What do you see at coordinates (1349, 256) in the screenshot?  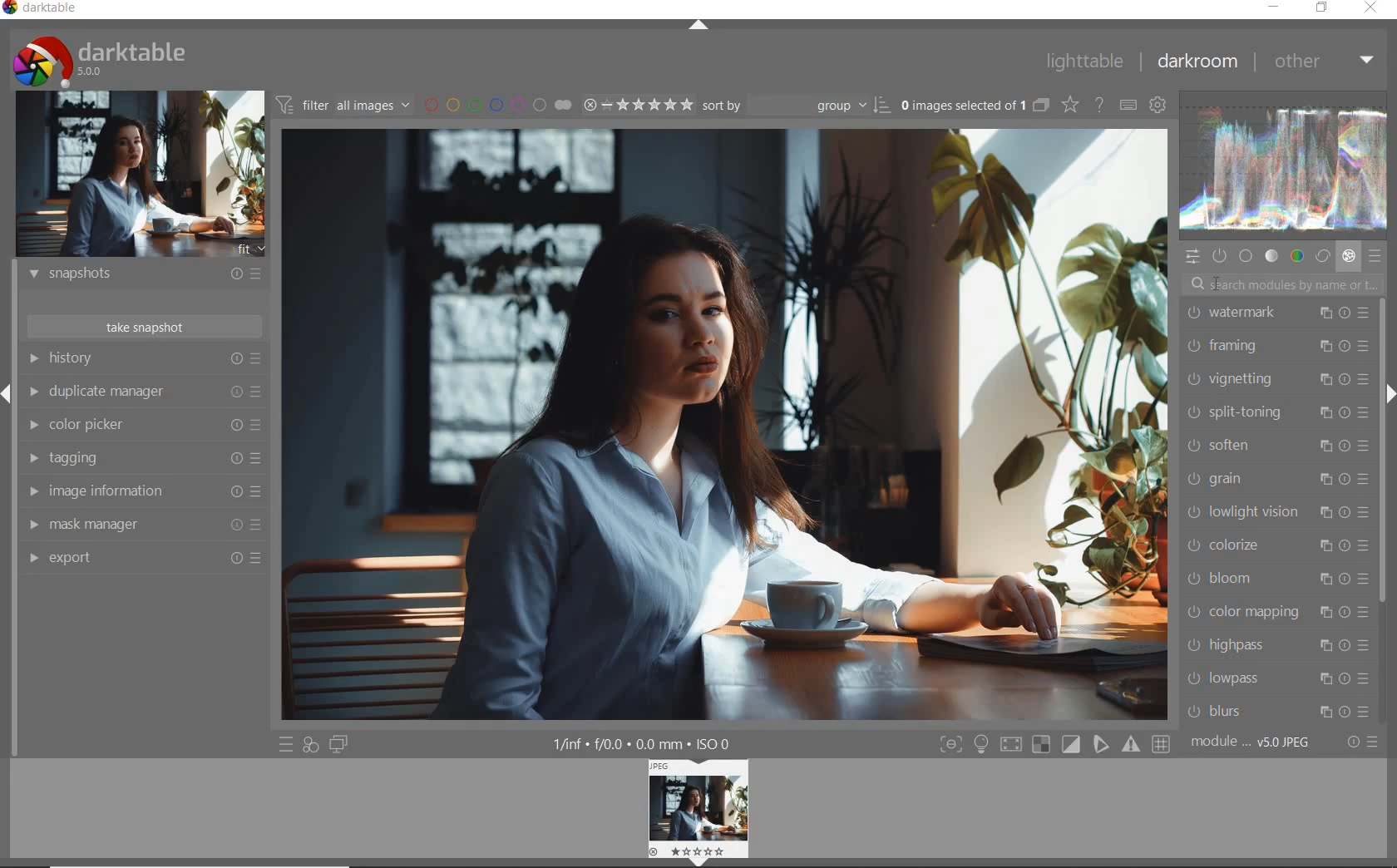 I see `effect` at bounding box center [1349, 256].